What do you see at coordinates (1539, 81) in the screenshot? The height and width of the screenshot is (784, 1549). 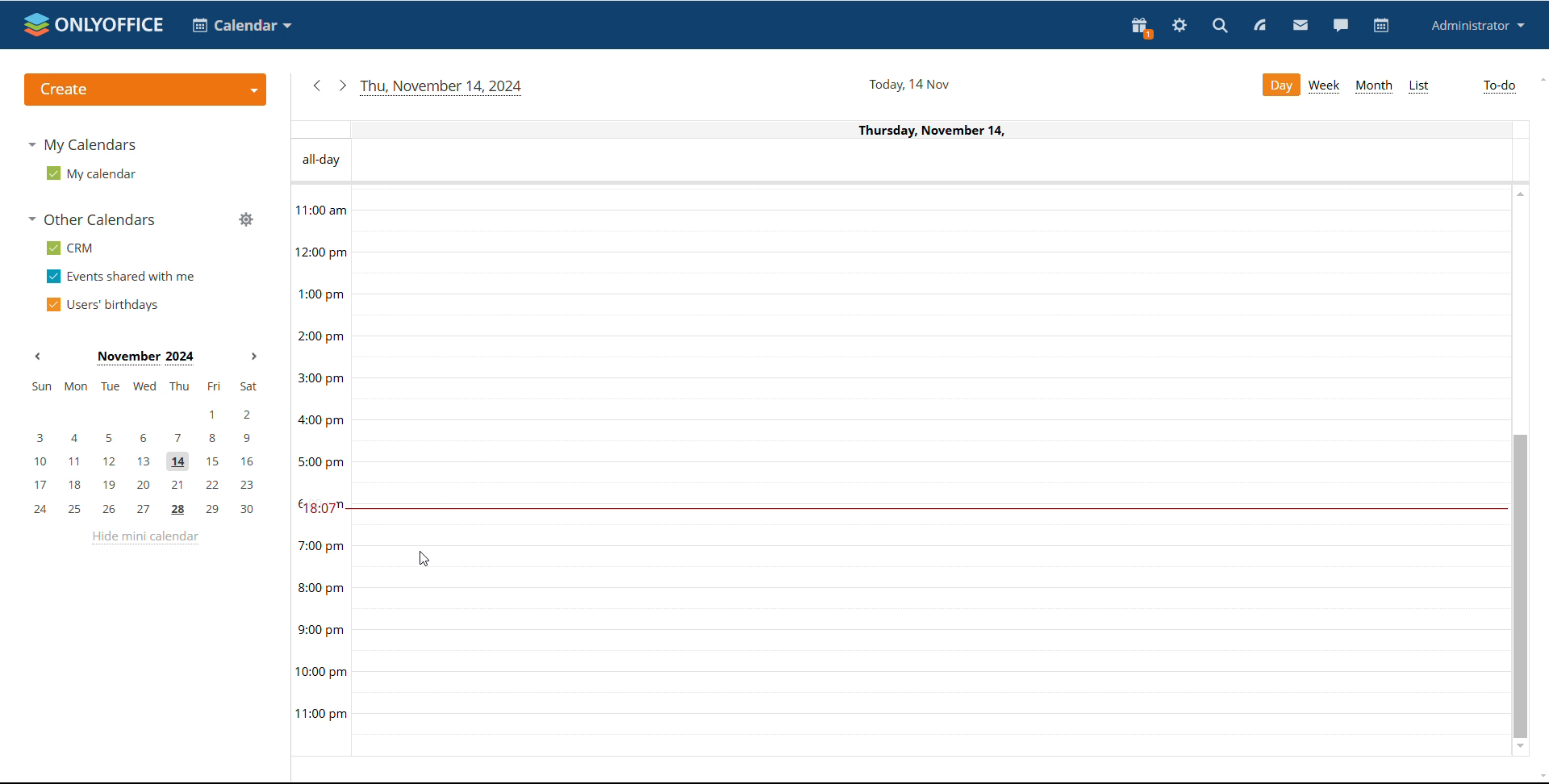 I see `scroll up` at bounding box center [1539, 81].